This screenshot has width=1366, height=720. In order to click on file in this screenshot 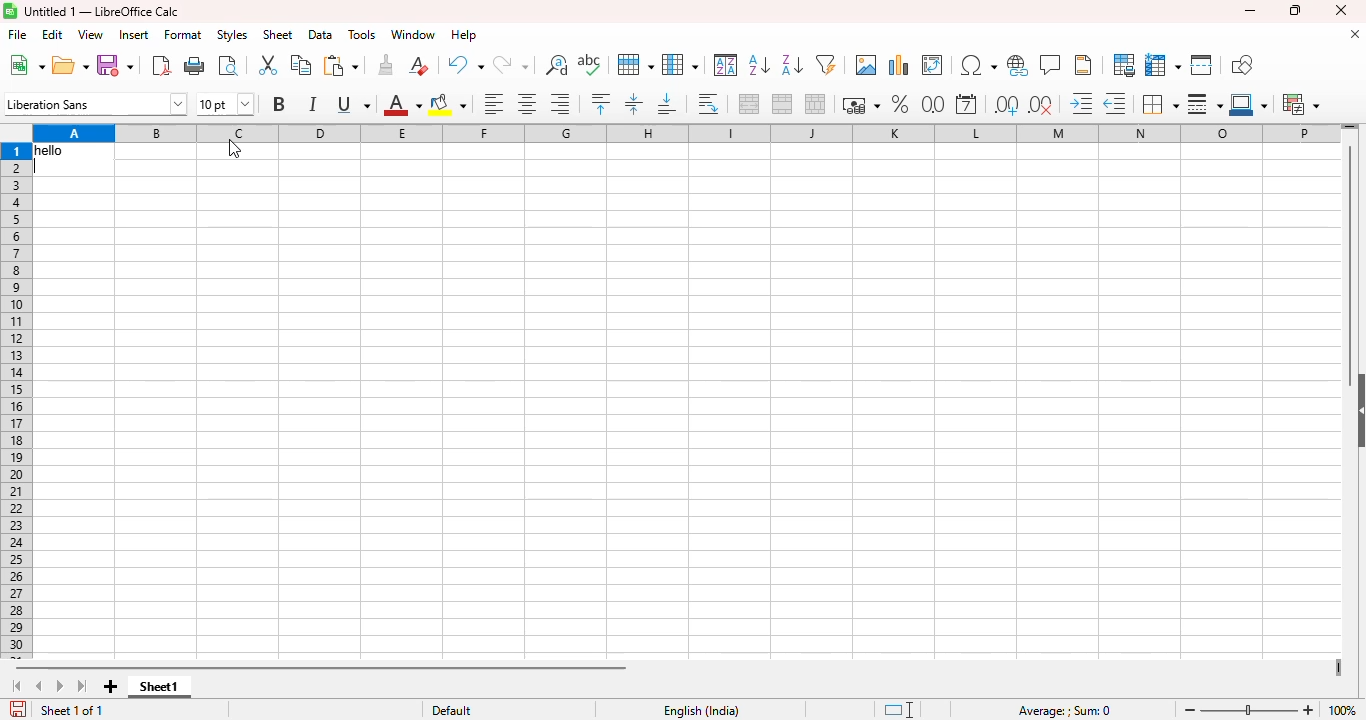, I will do `click(18, 34)`.